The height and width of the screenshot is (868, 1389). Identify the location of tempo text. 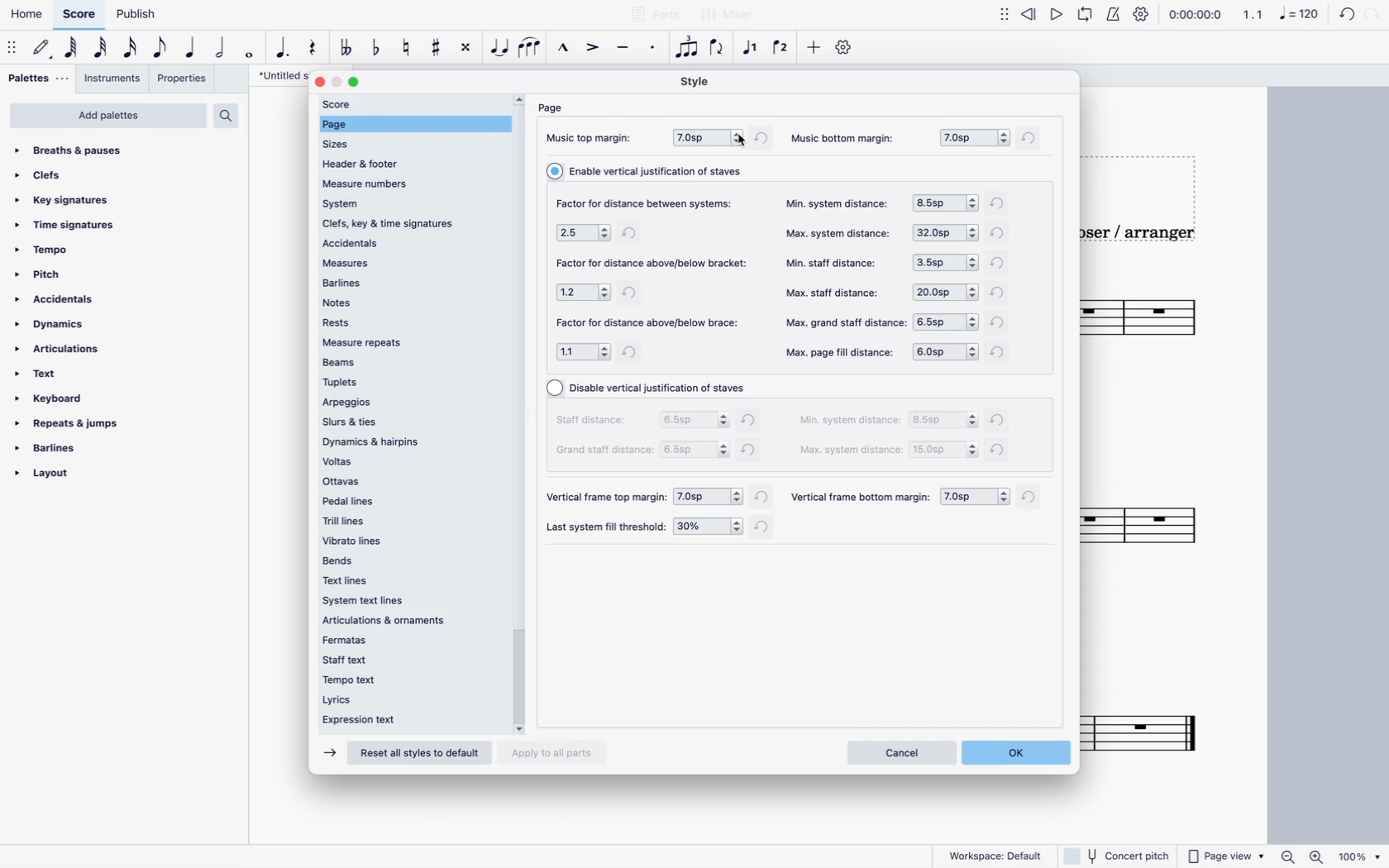
(400, 678).